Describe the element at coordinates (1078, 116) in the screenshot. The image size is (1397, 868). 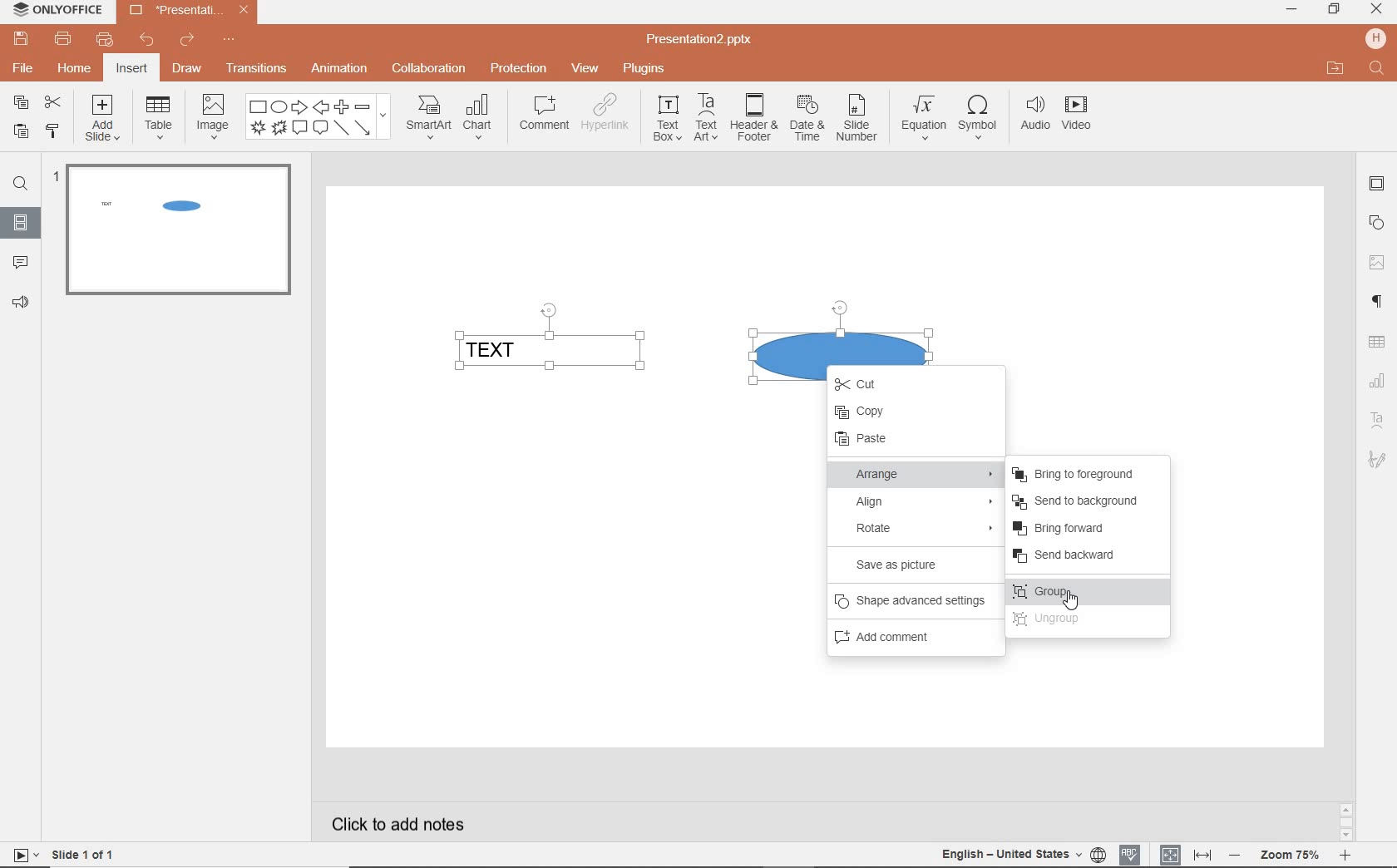
I see `video` at that location.